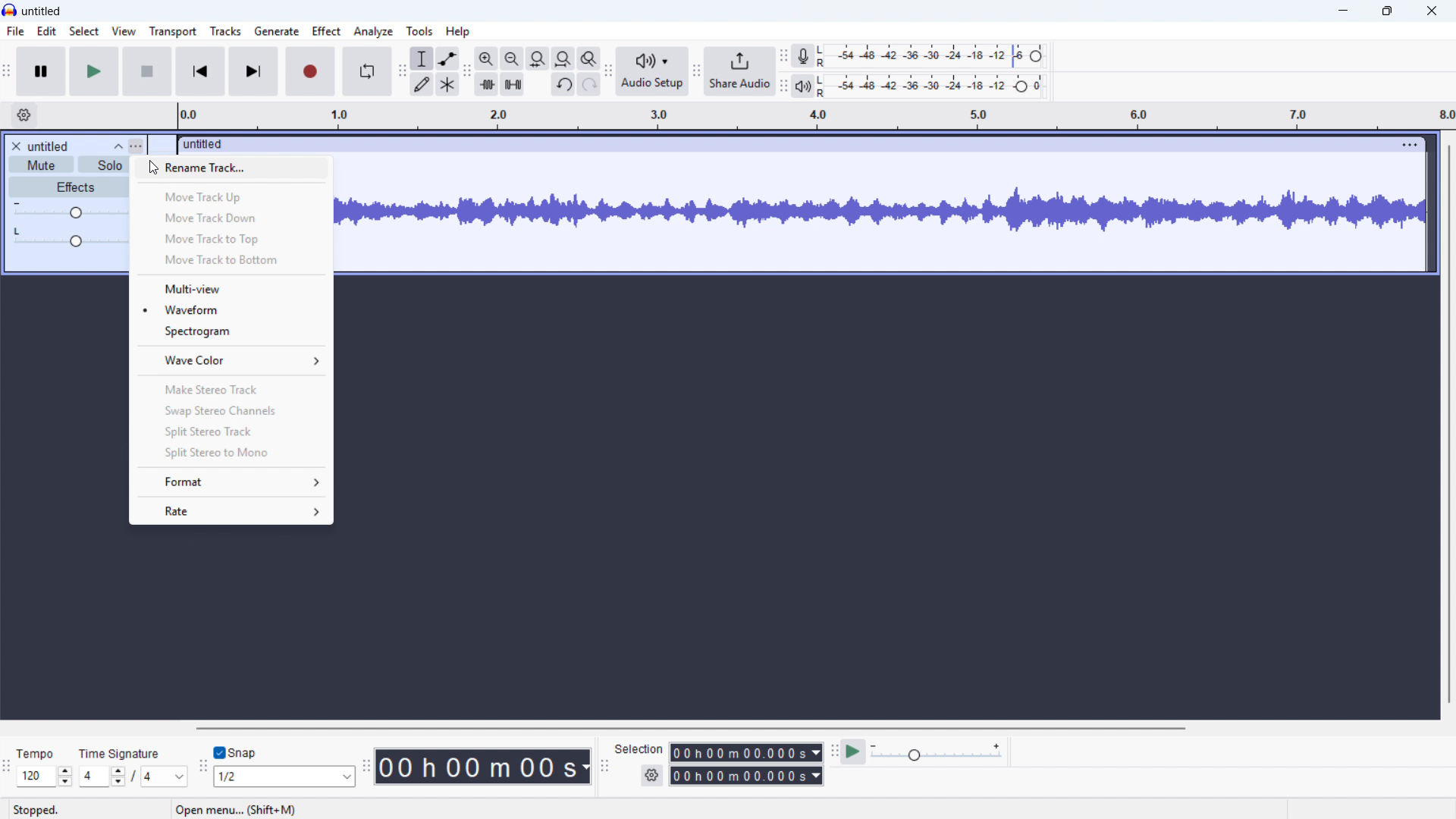  What do you see at coordinates (226, 30) in the screenshot?
I see `Tracks ` at bounding box center [226, 30].